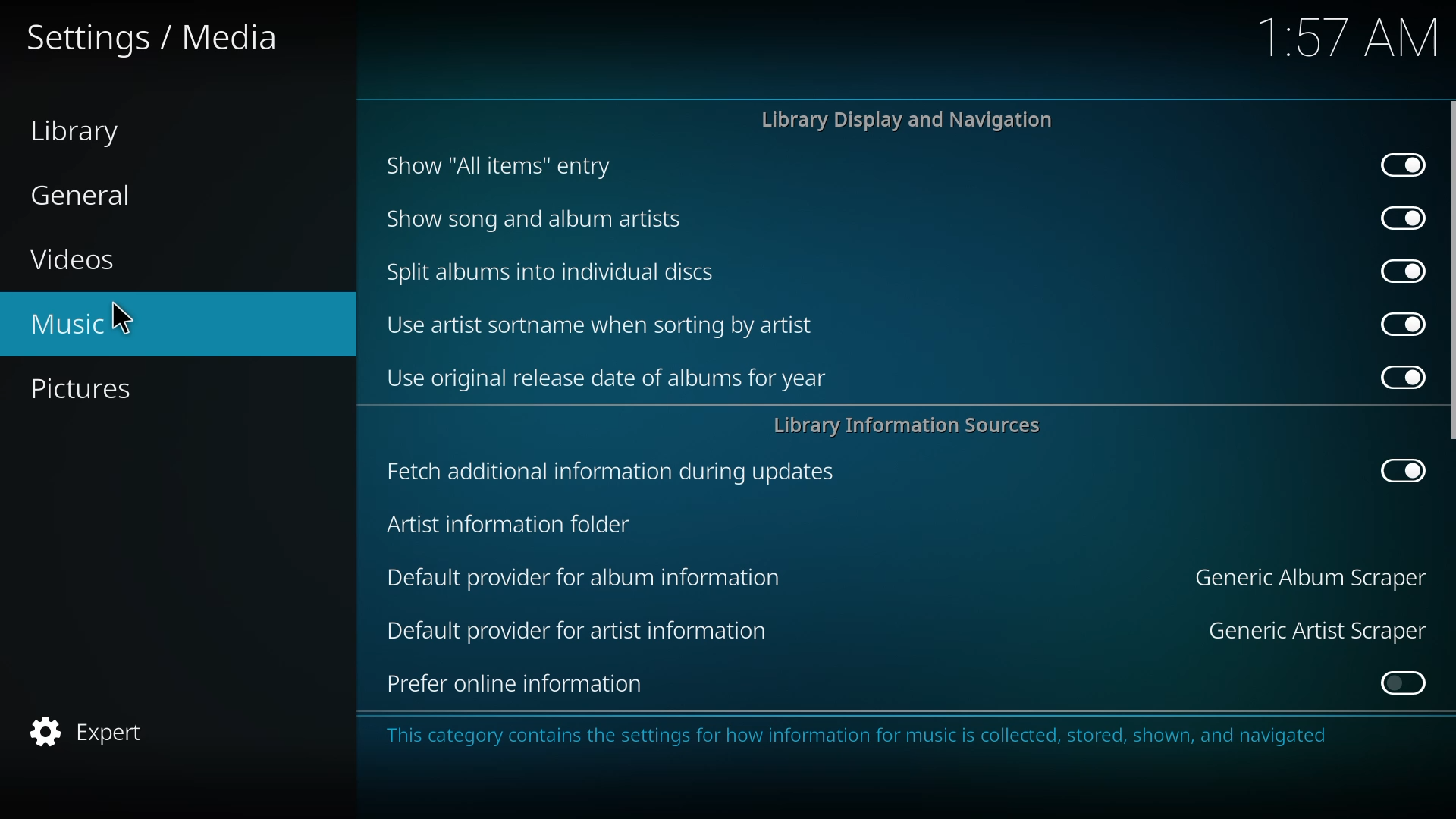 The width and height of the screenshot is (1456, 819). Describe the element at coordinates (494, 165) in the screenshot. I see `show all items entry` at that location.